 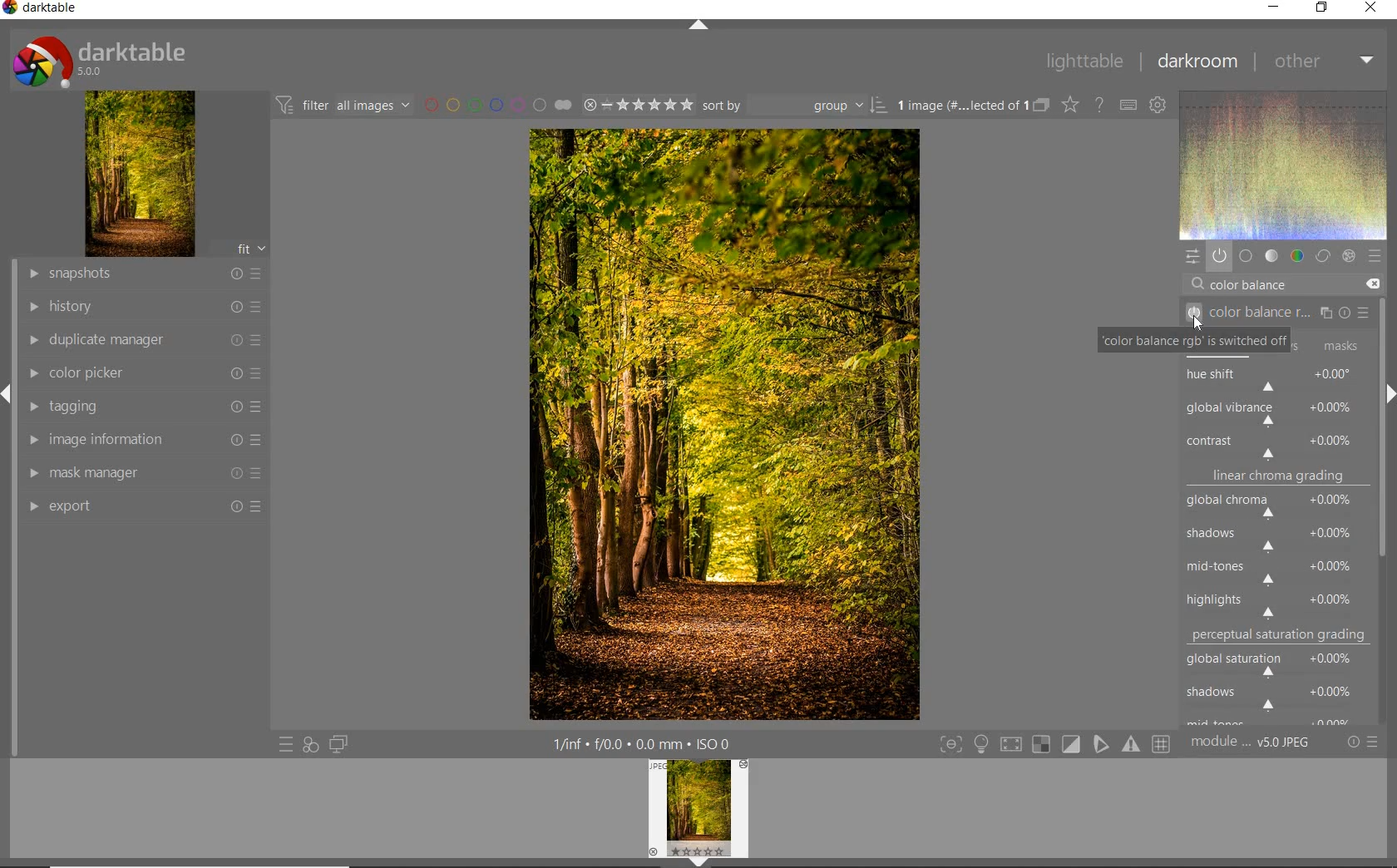 I want to click on wave form, so click(x=1282, y=165).